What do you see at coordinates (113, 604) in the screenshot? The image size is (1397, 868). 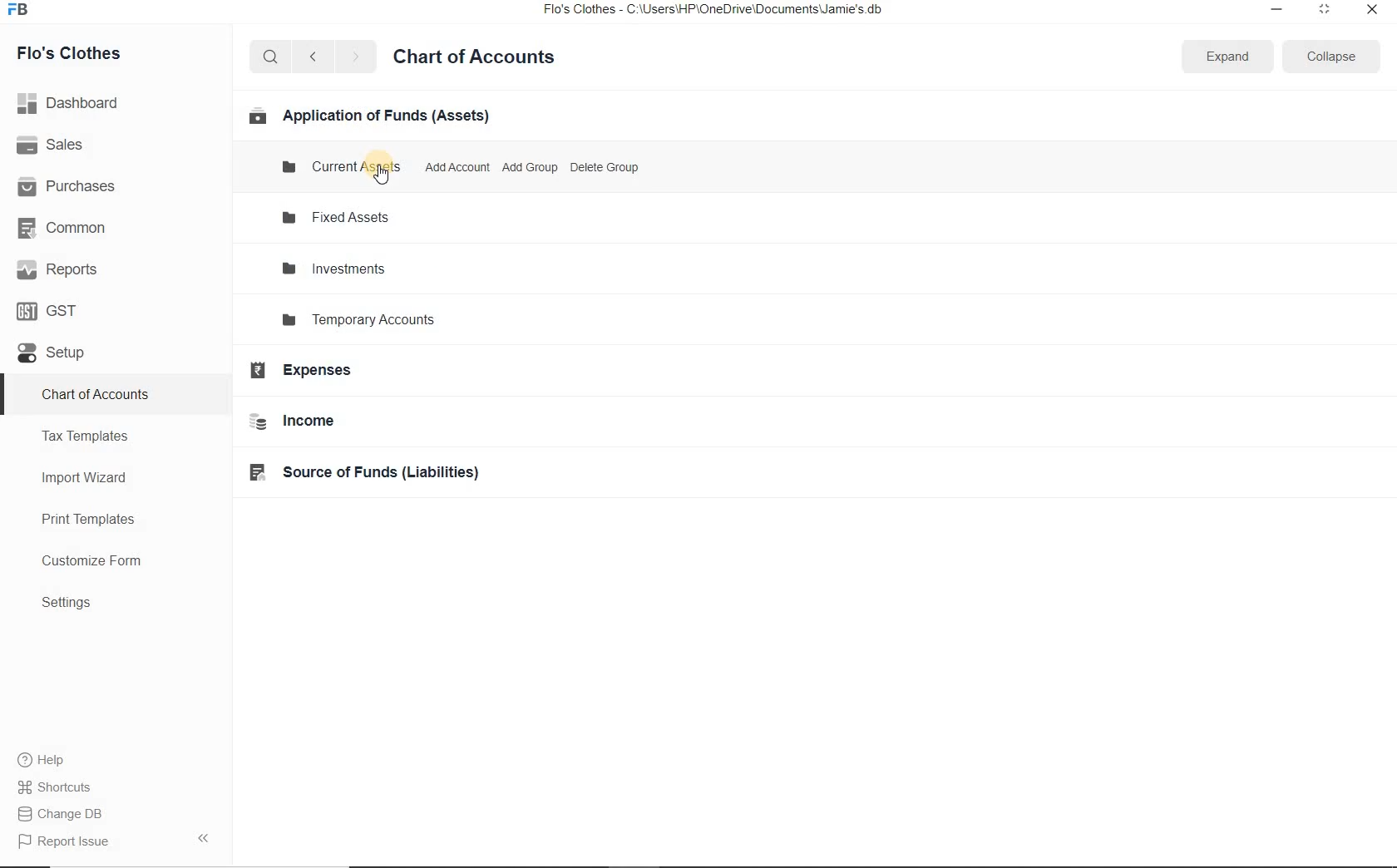 I see `Settings` at bounding box center [113, 604].